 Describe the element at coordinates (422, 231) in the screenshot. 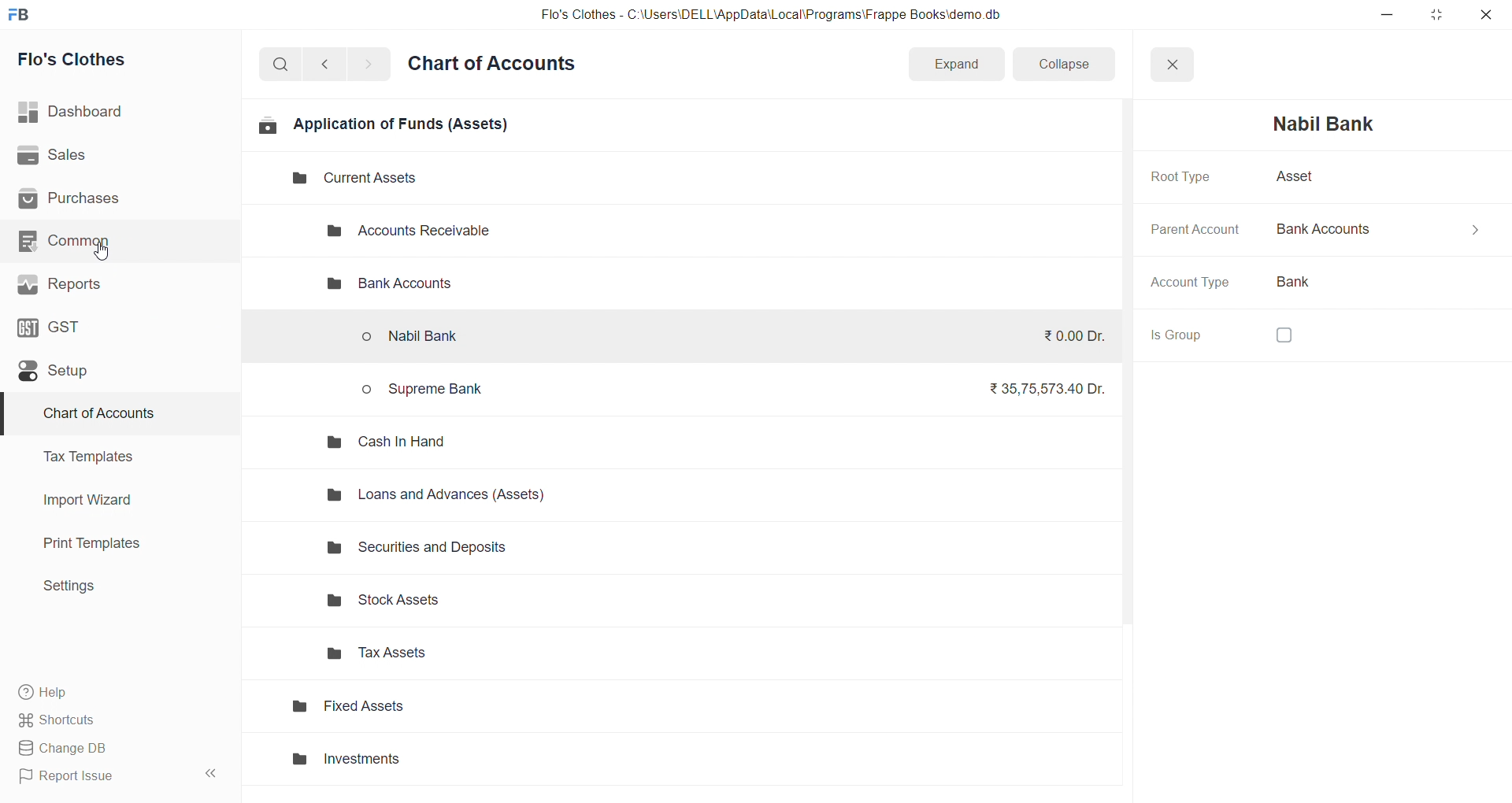

I see `Accounts Receivable` at that location.